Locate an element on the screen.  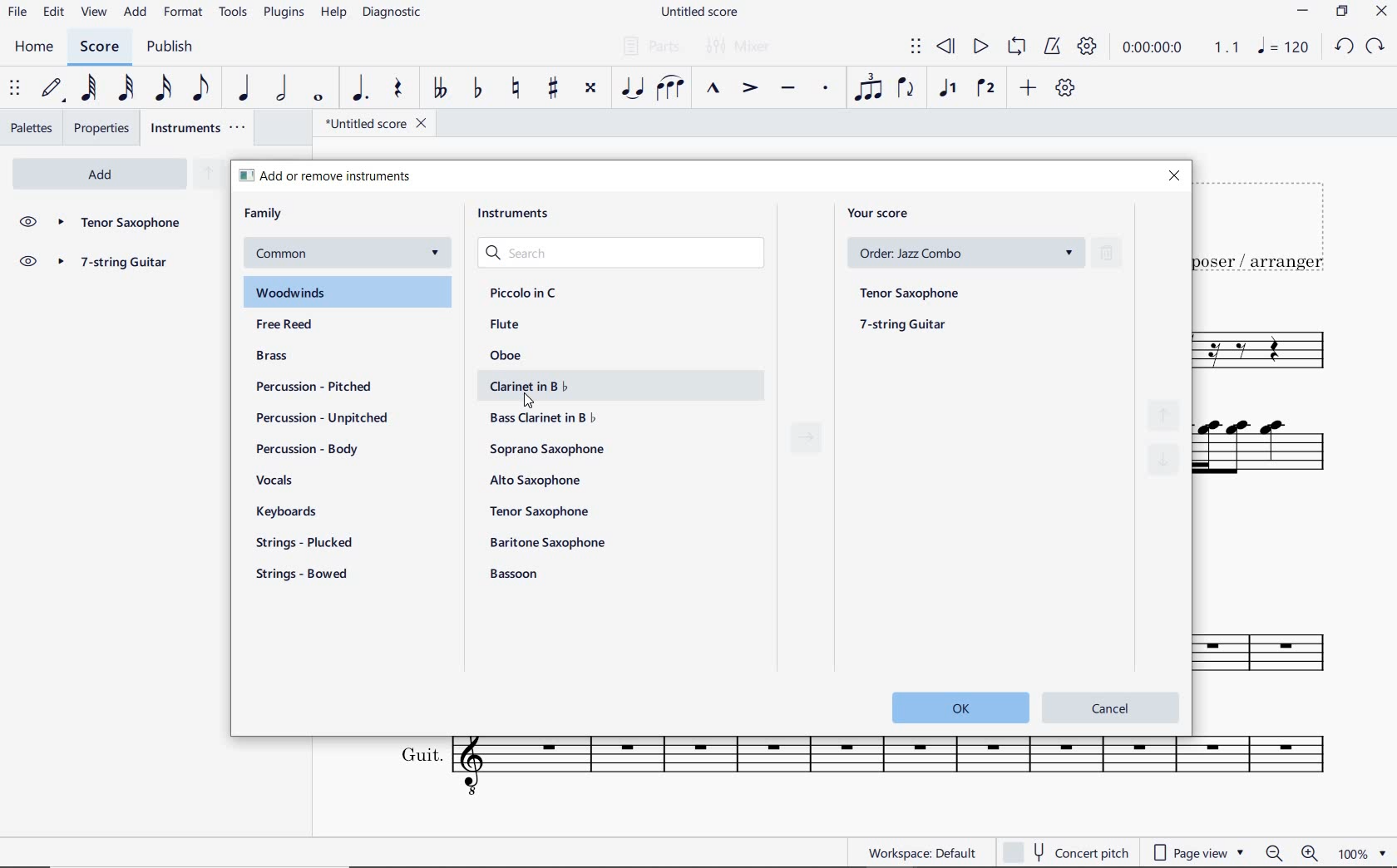
PLAY SPEED is located at coordinates (1177, 50).